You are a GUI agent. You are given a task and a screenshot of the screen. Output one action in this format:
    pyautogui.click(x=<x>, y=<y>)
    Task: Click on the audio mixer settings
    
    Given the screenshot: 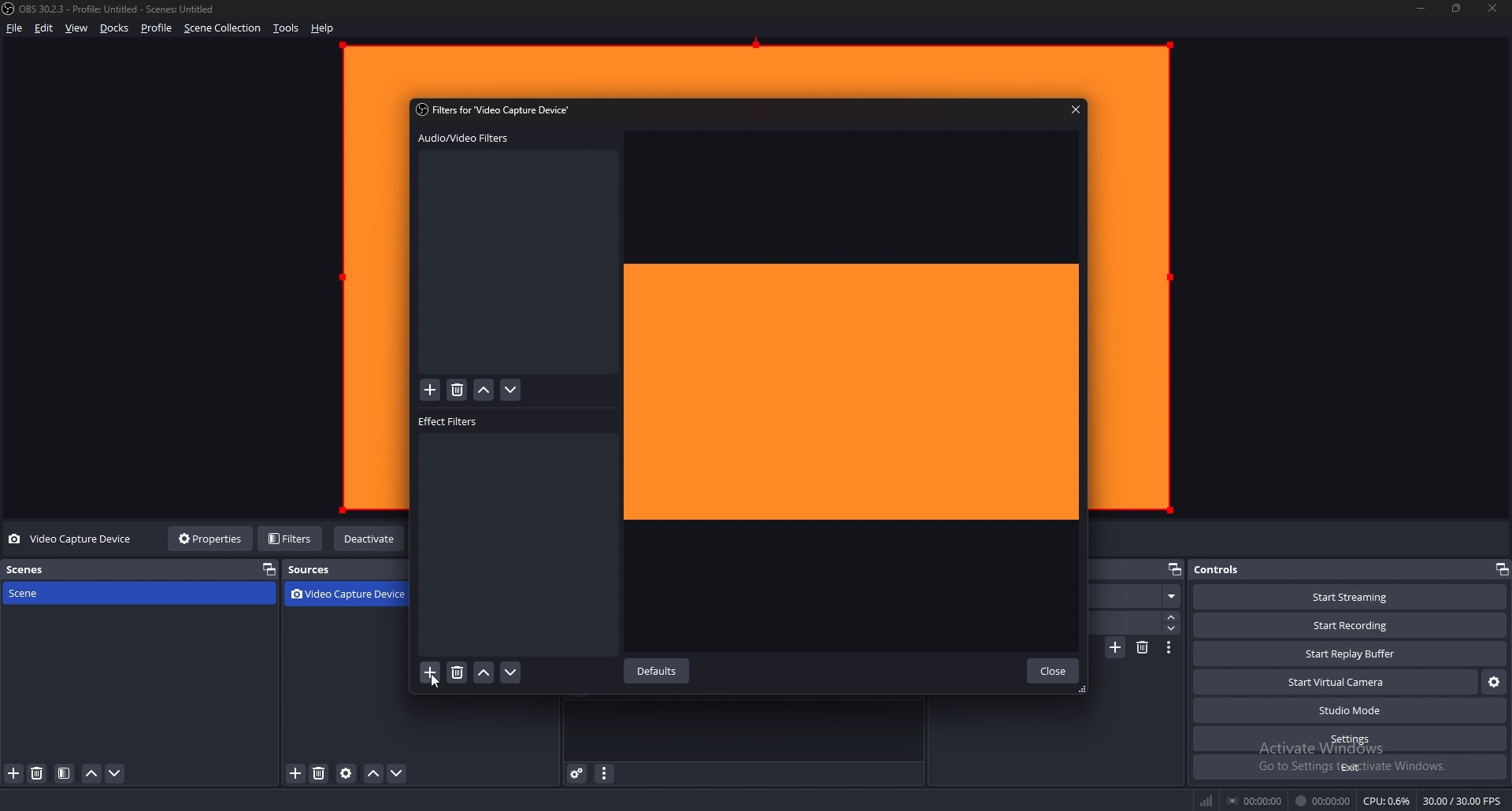 What is the action you would take?
    pyautogui.click(x=578, y=773)
    